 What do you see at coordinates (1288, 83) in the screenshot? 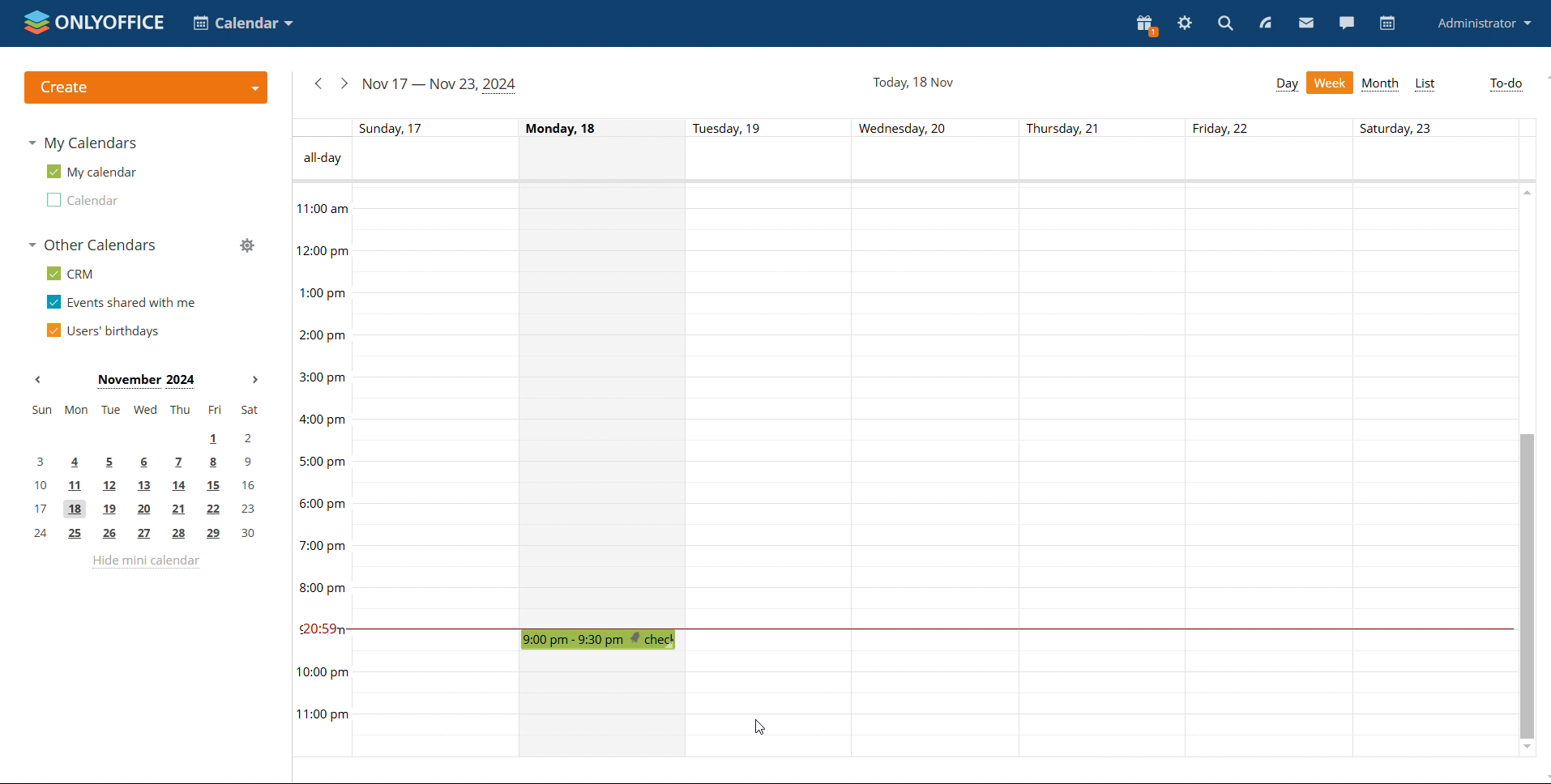
I see `day view` at bounding box center [1288, 83].